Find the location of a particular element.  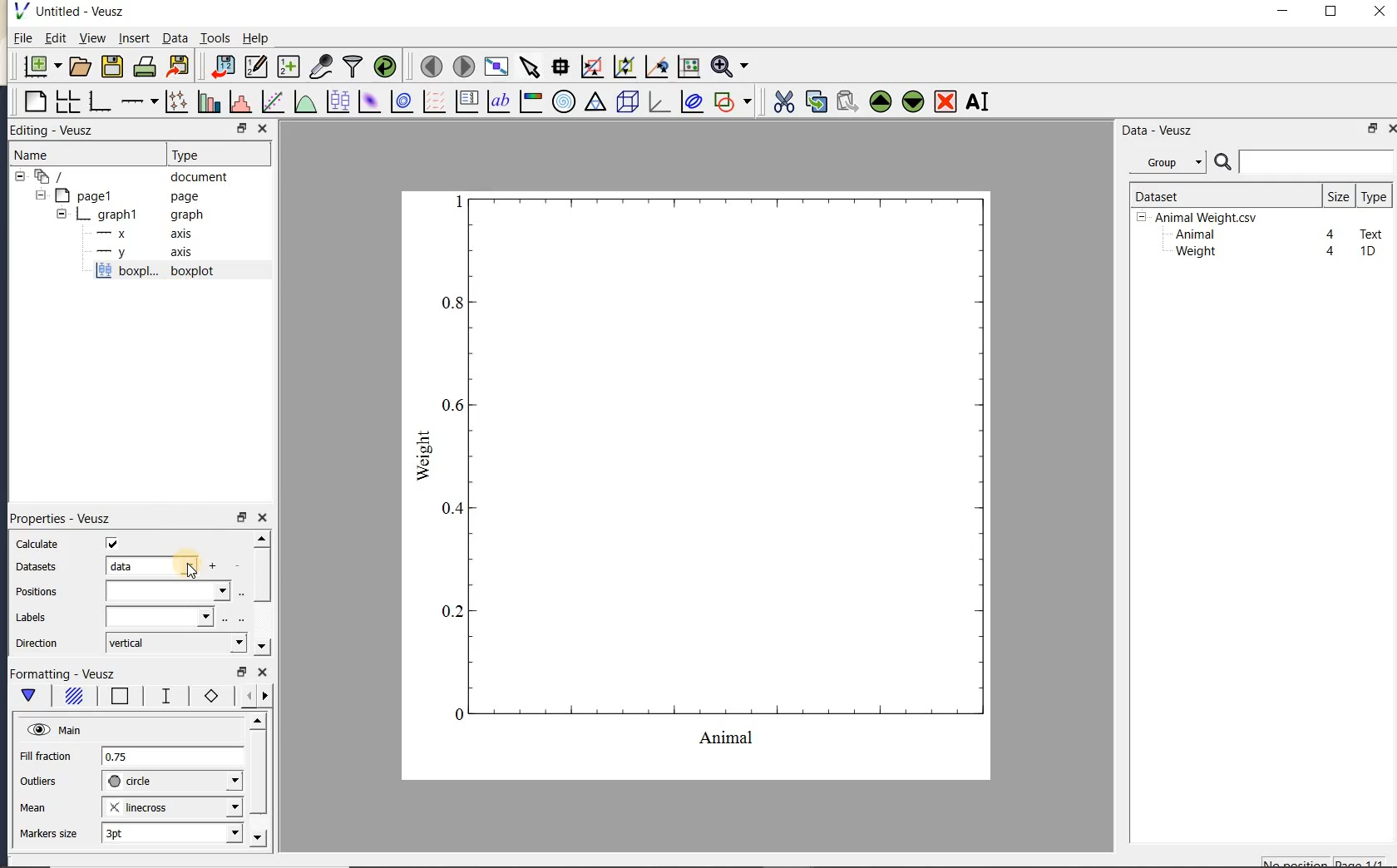

0.75 is located at coordinates (172, 757).